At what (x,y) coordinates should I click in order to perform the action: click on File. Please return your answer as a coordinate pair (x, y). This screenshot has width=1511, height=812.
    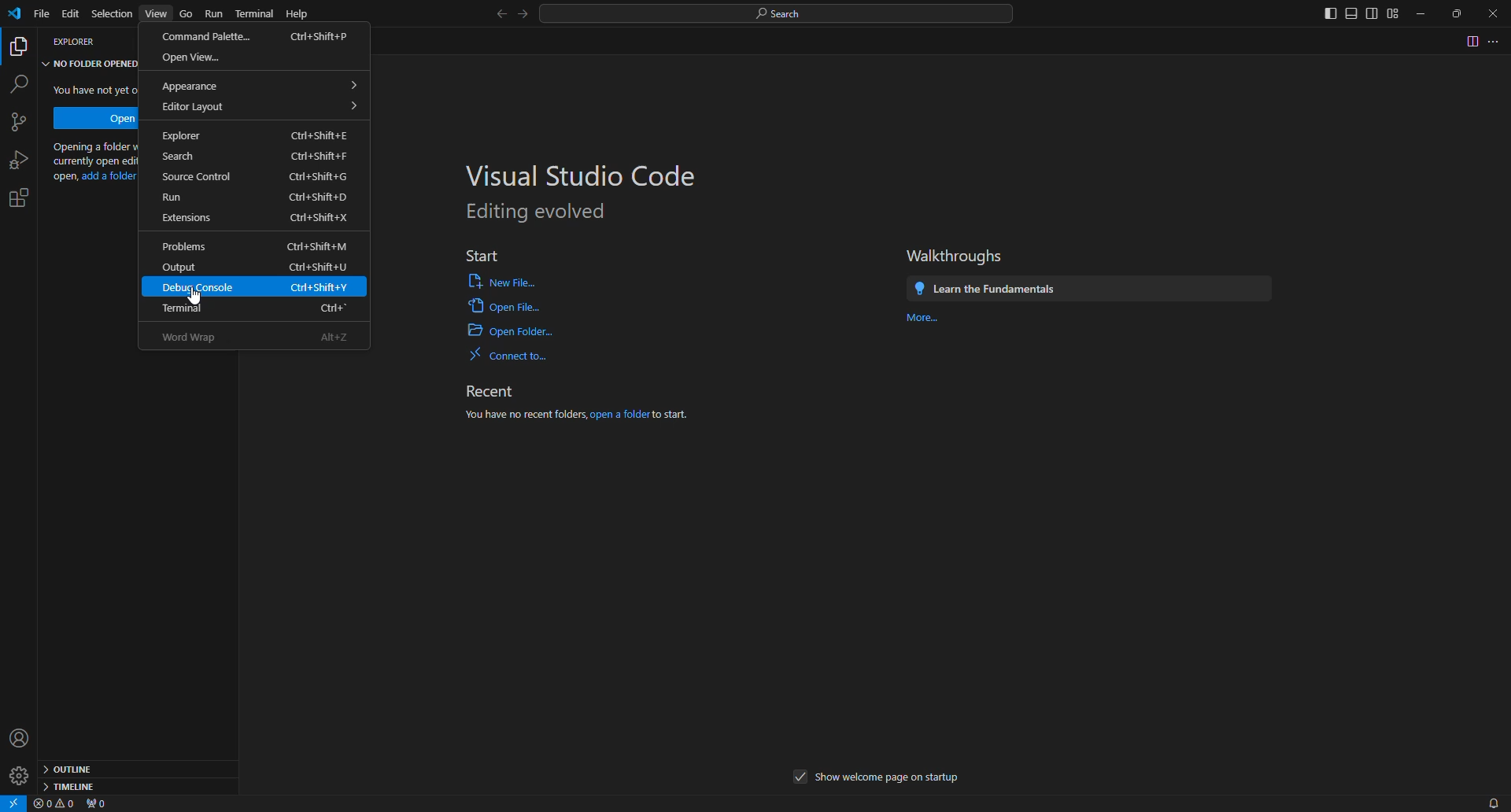
    Looking at the image, I should click on (40, 15).